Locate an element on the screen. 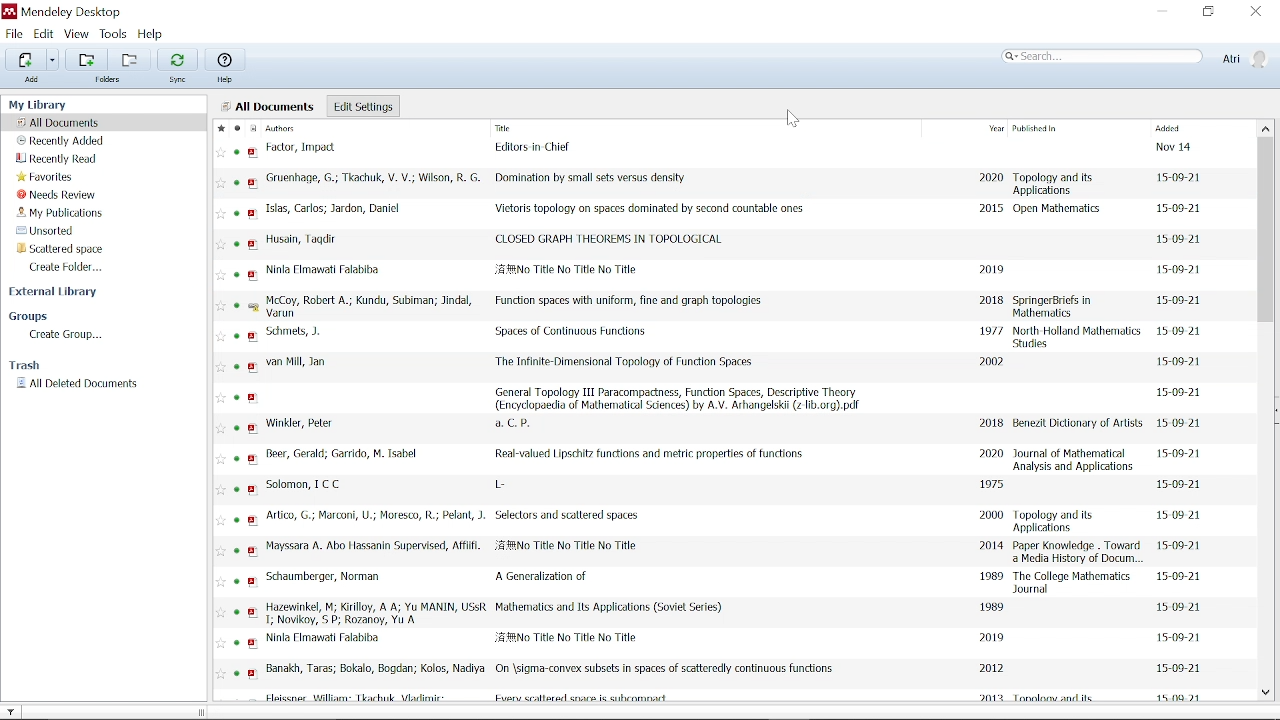 The width and height of the screenshot is (1280, 720). Tools is located at coordinates (115, 35).